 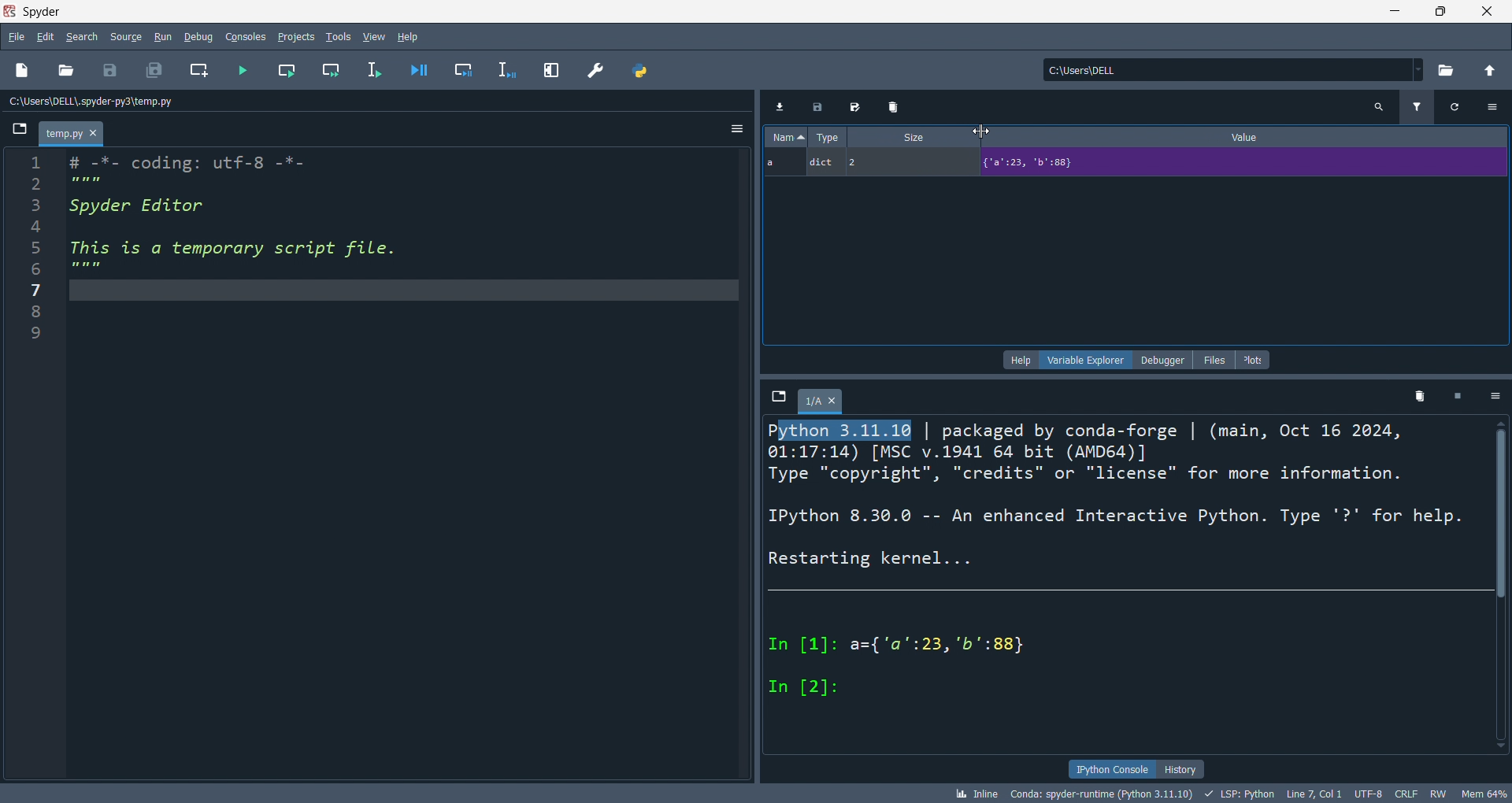 What do you see at coordinates (413, 35) in the screenshot?
I see `help` at bounding box center [413, 35].